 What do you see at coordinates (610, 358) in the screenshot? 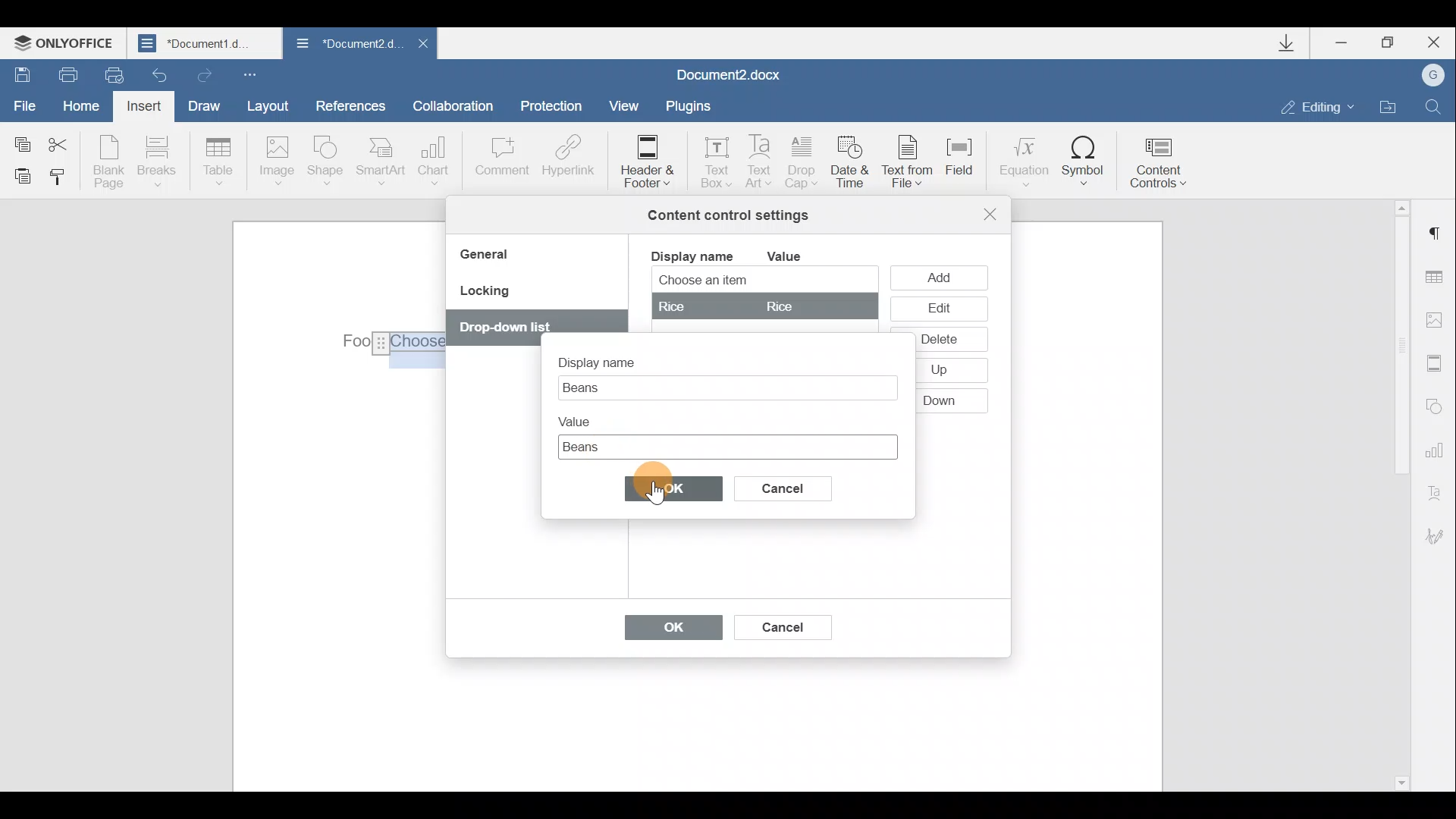
I see `Display name` at bounding box center [610, 358].